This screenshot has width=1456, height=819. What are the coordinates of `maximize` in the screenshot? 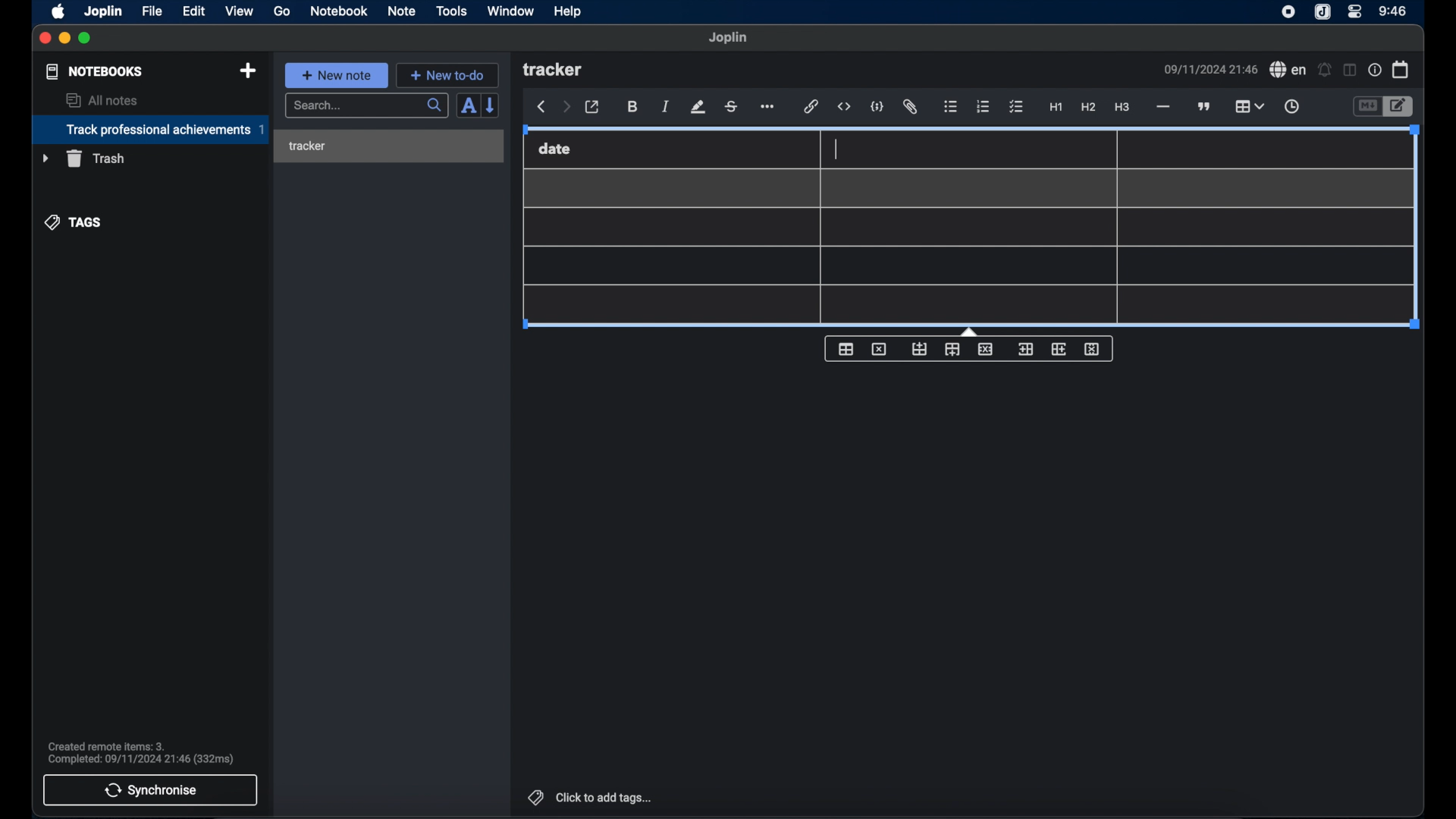 It's located at (86, 39).